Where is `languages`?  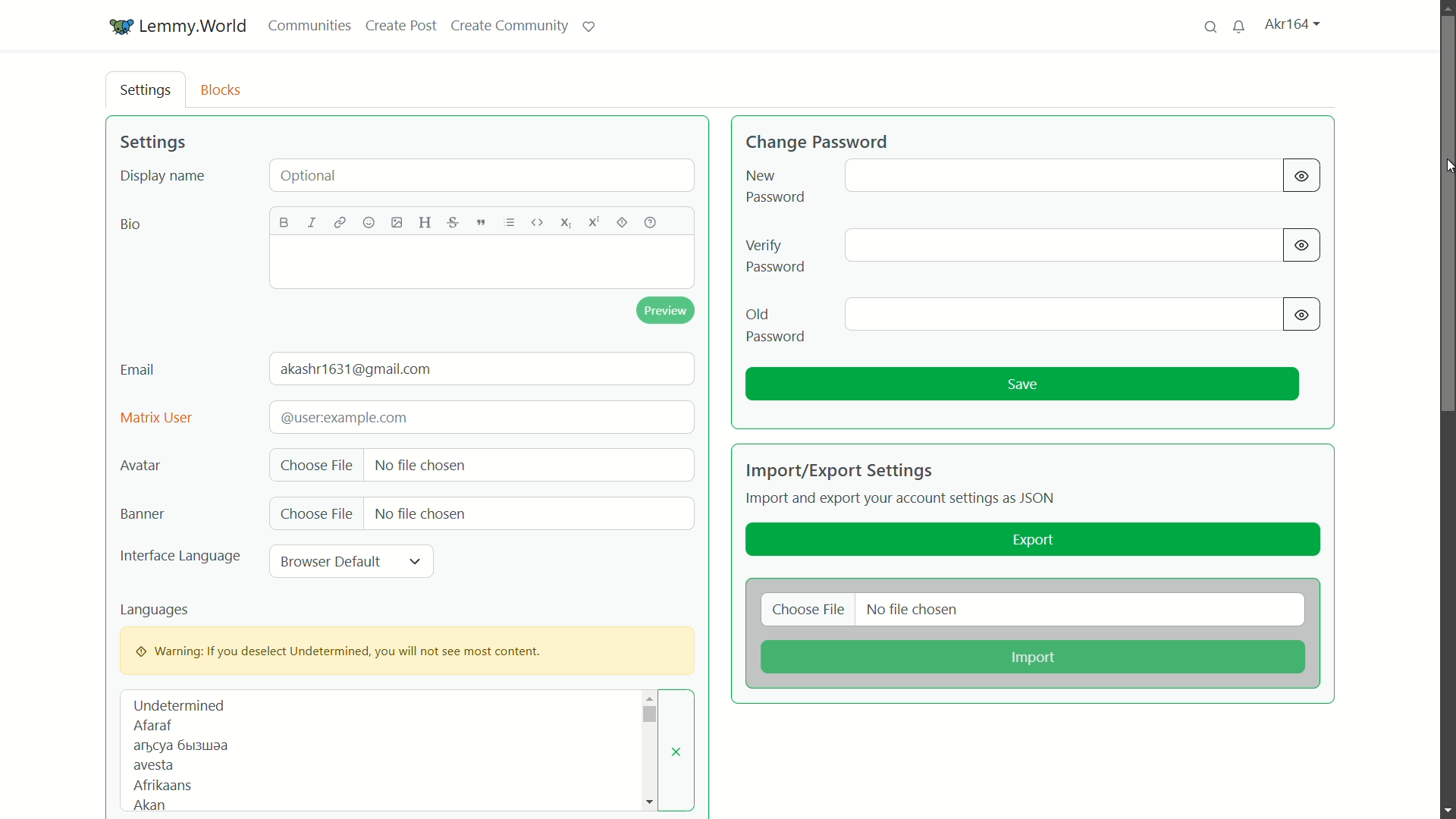 languages is located at coordinates (155, 610).